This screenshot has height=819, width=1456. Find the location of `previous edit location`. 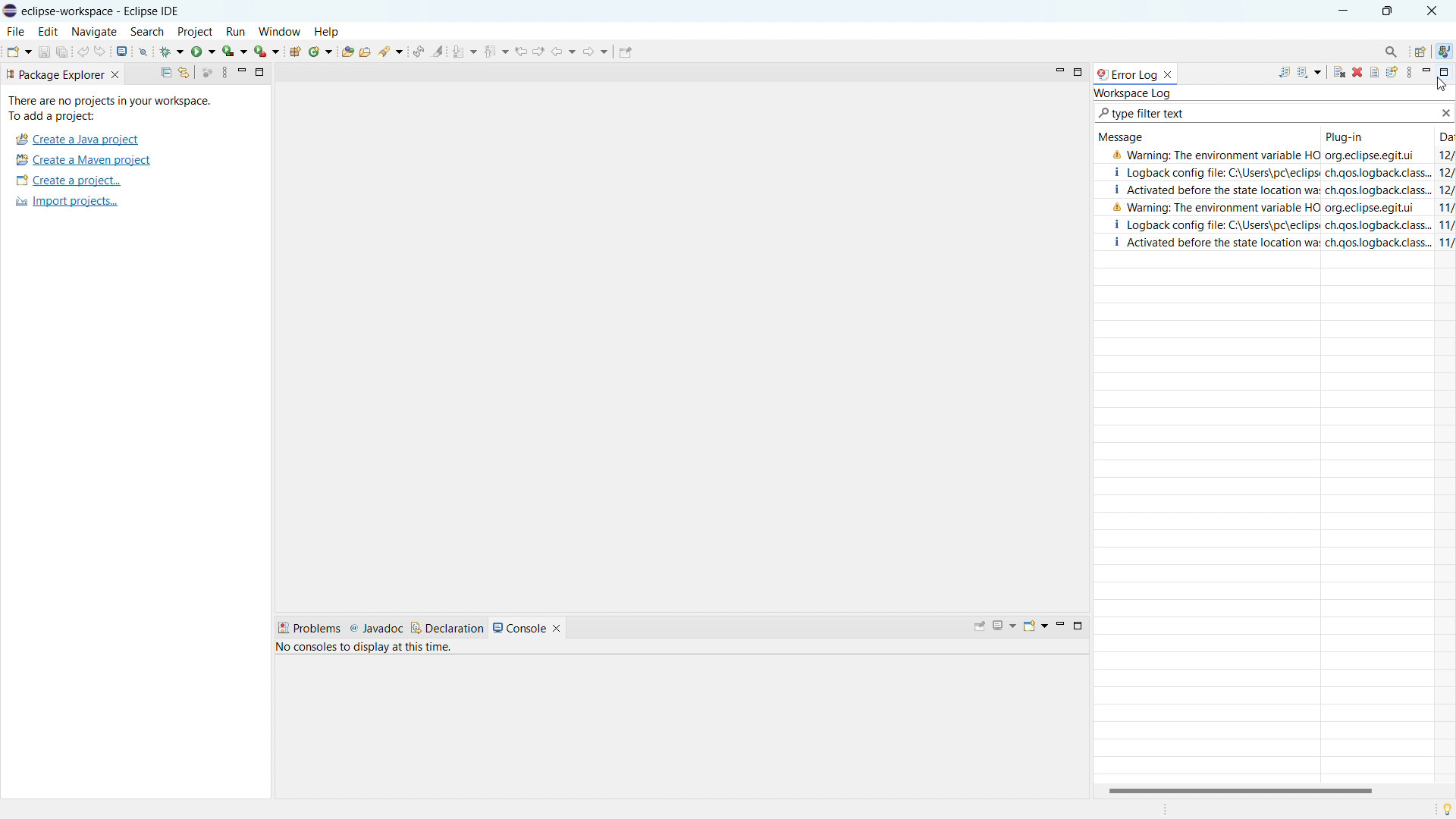

previous edit location is located at coordinates (521, 51).